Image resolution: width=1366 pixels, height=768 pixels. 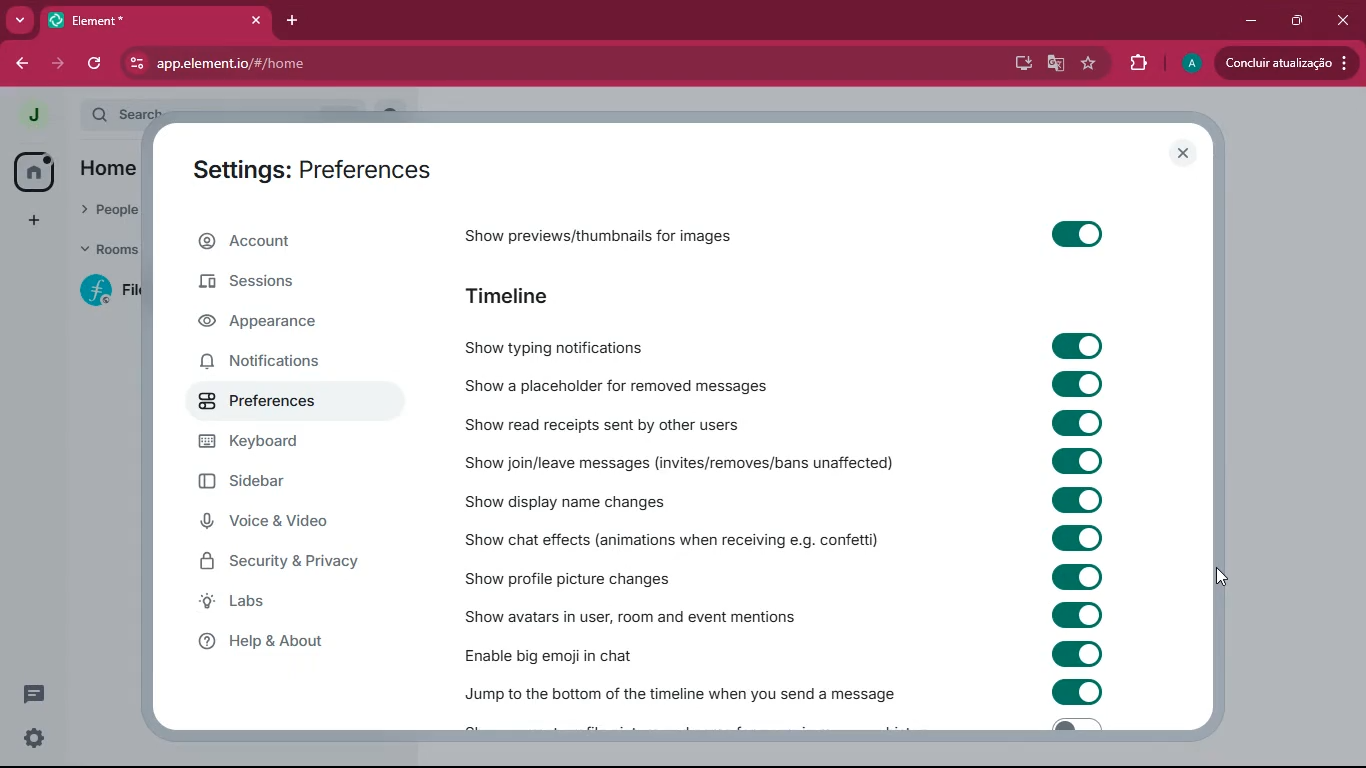 What do you see at coordinates (1191, 63) in the screenshot?
I see `a` at bounding box center [1191, 63].